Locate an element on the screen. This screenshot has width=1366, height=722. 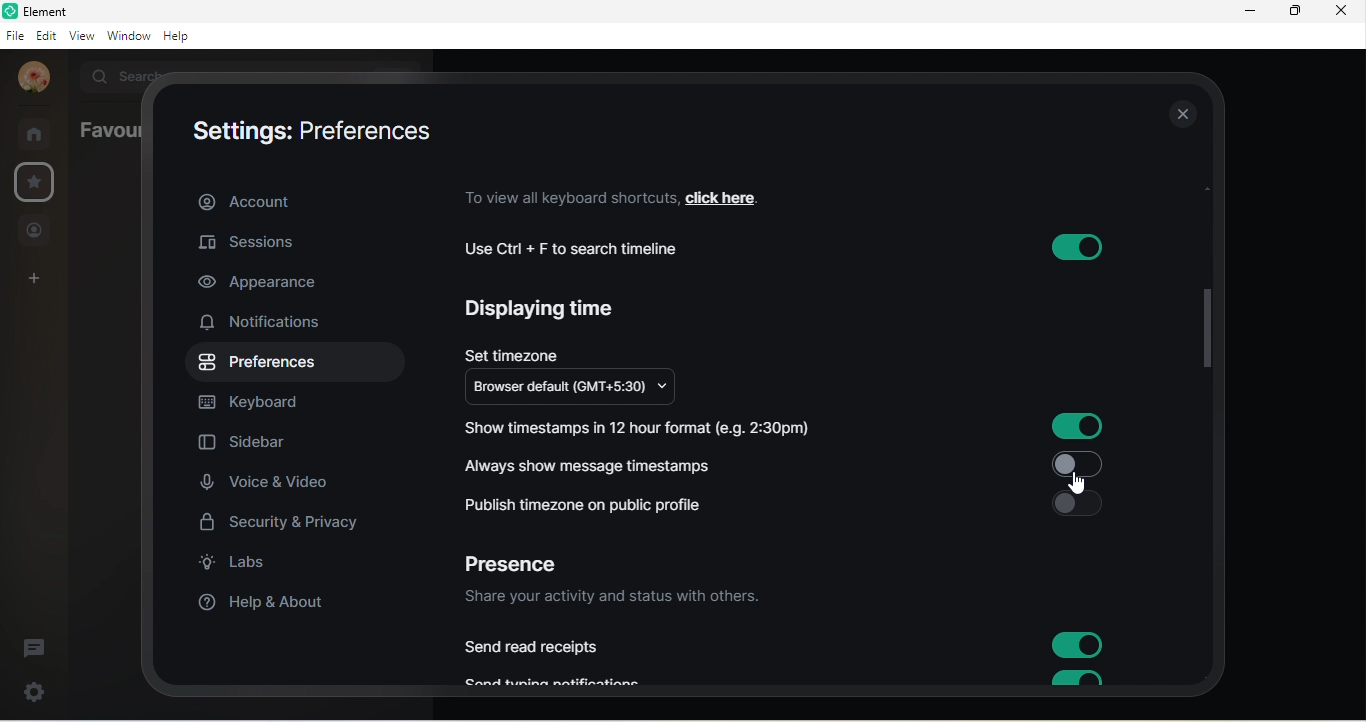
notifications is located at coordinates (270, 324).